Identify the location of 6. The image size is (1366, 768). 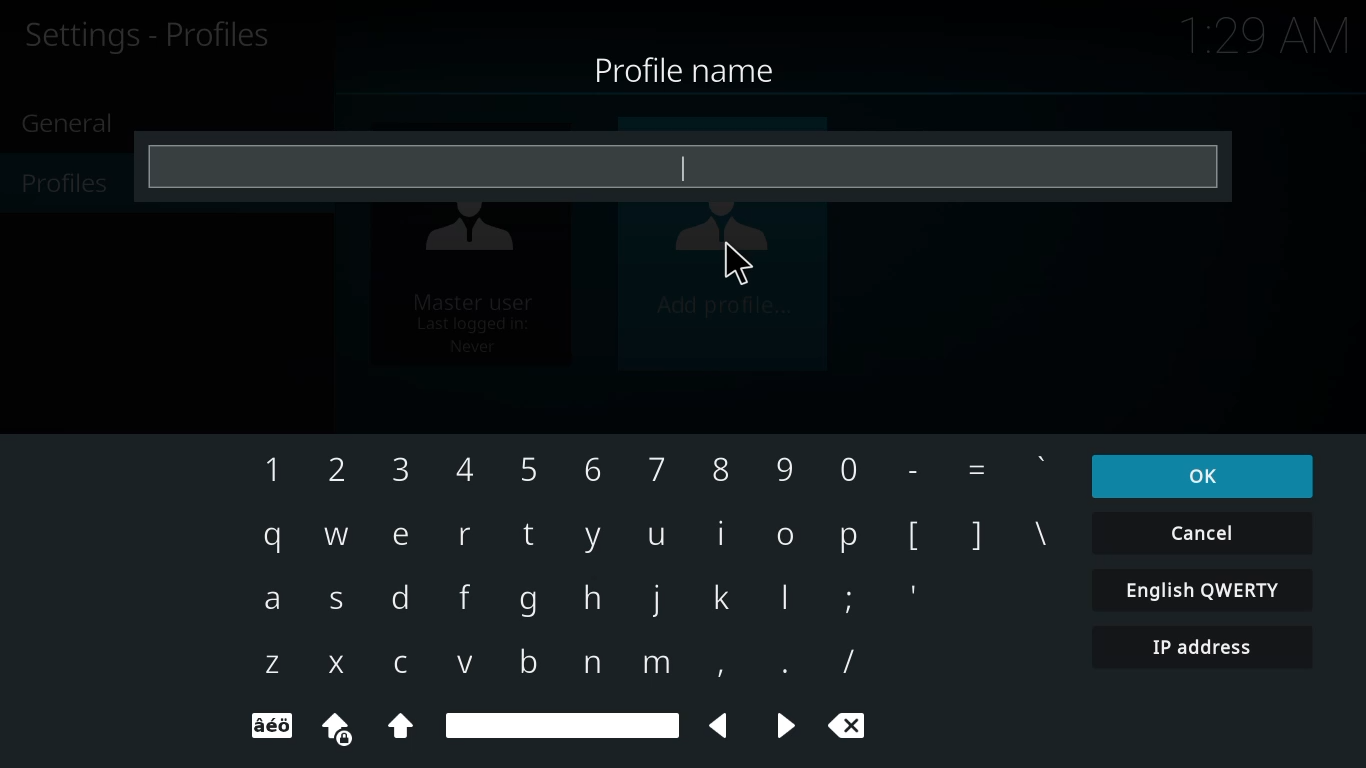
(600, 470).